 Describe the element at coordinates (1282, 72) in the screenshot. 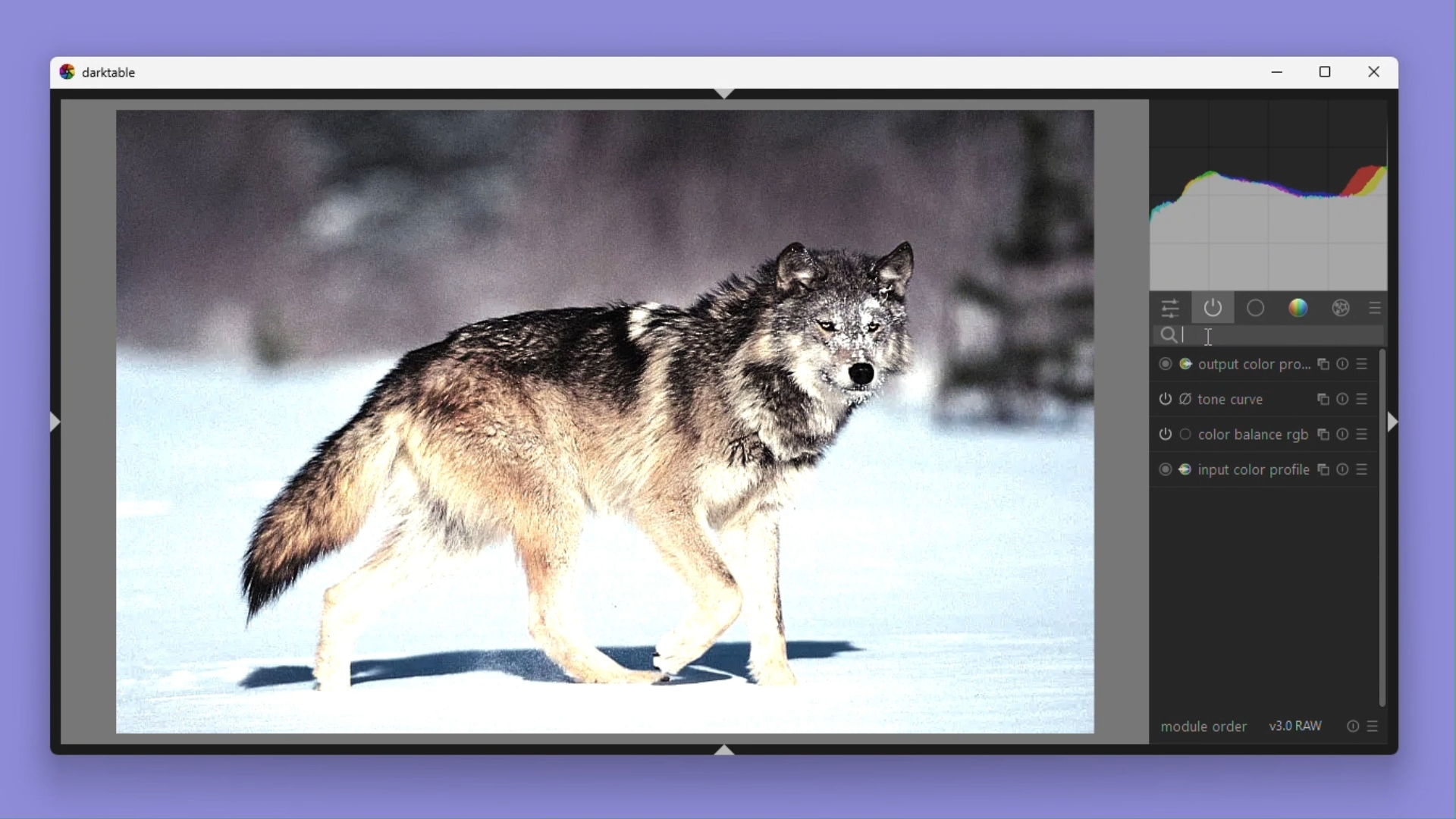

I see `Minimise` at that location.